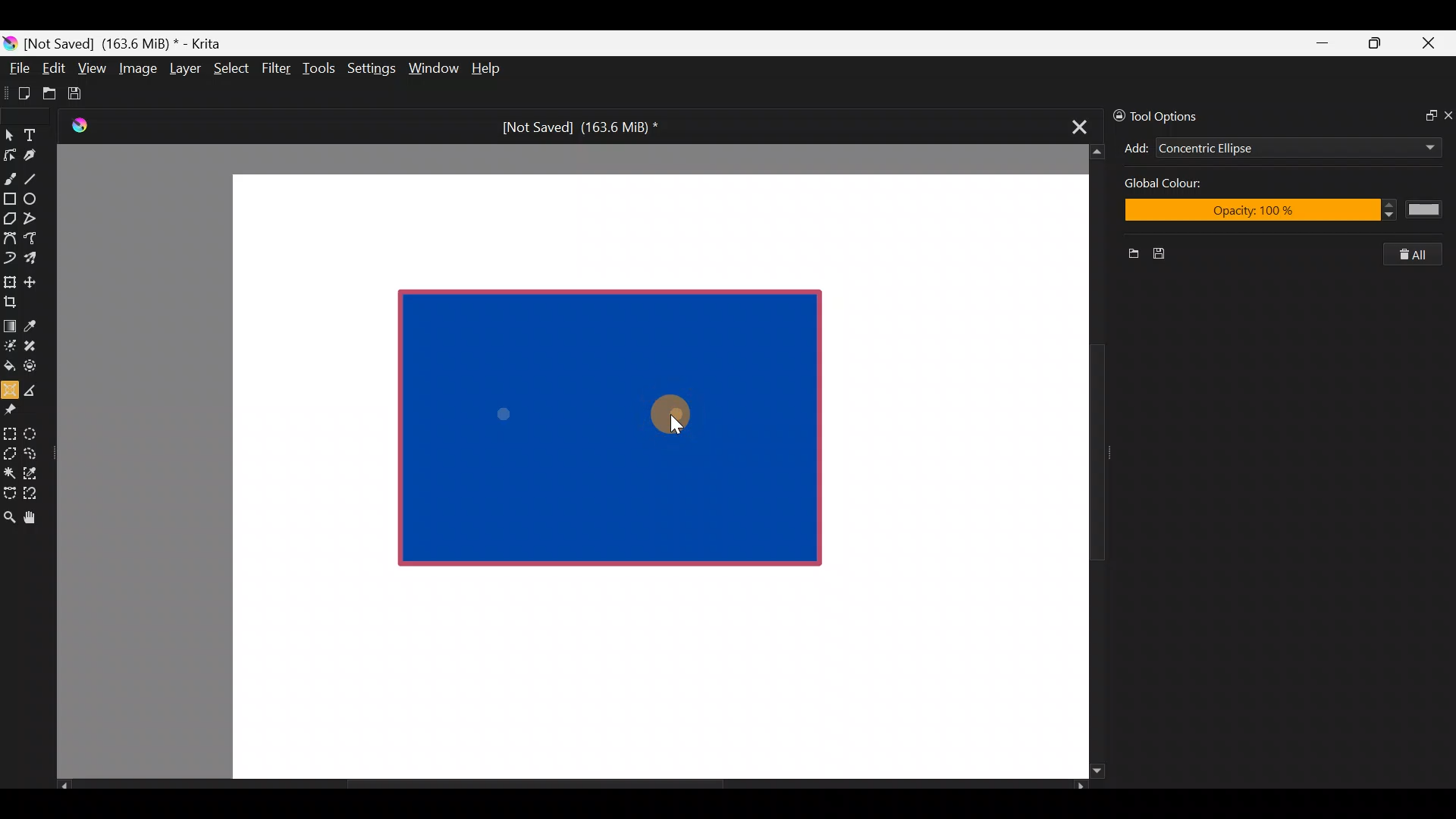  I want to click on Freehand brush tool, so click(10, 173).